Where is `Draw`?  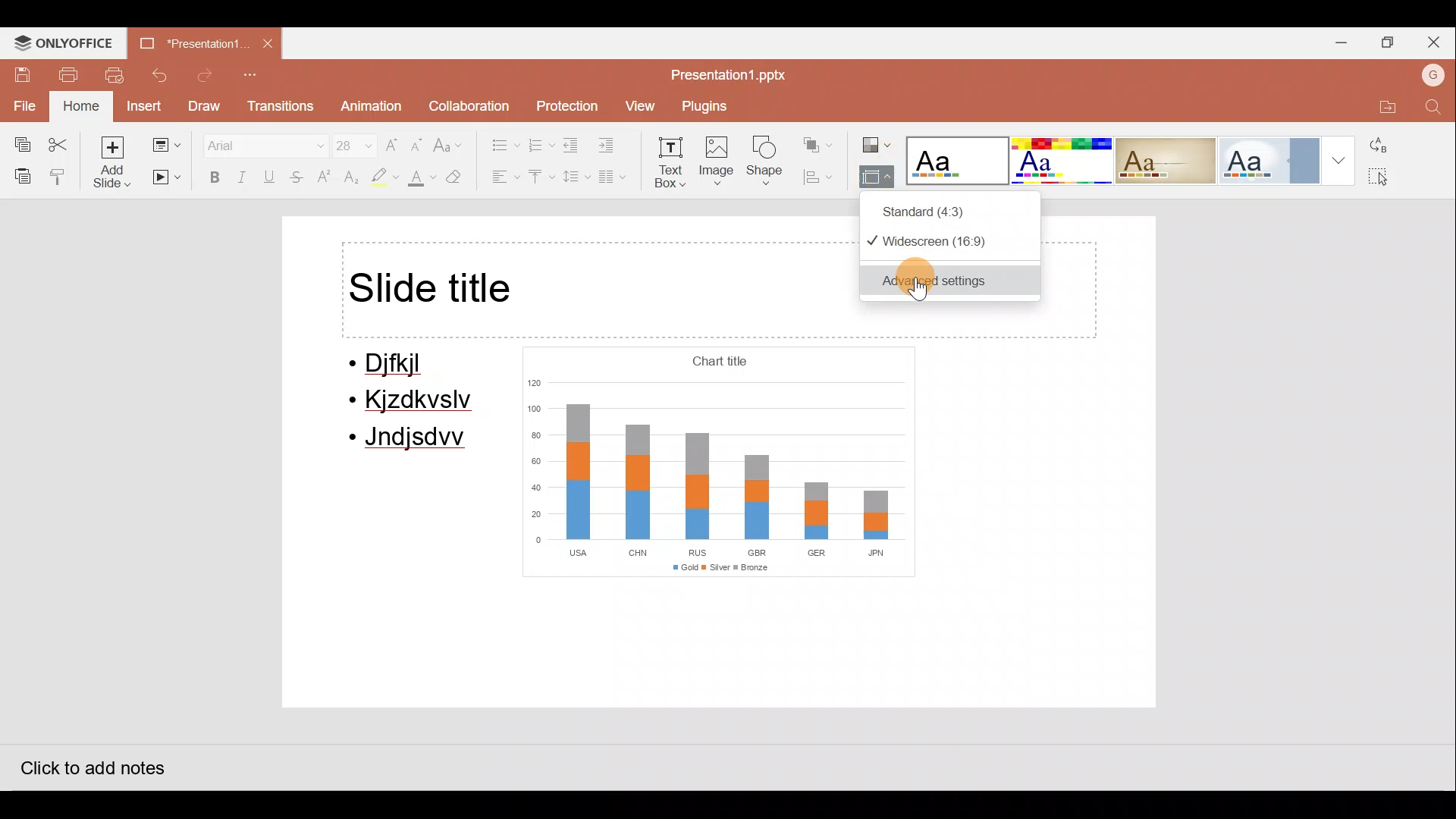 Draw is located at coordinates (206, 106).